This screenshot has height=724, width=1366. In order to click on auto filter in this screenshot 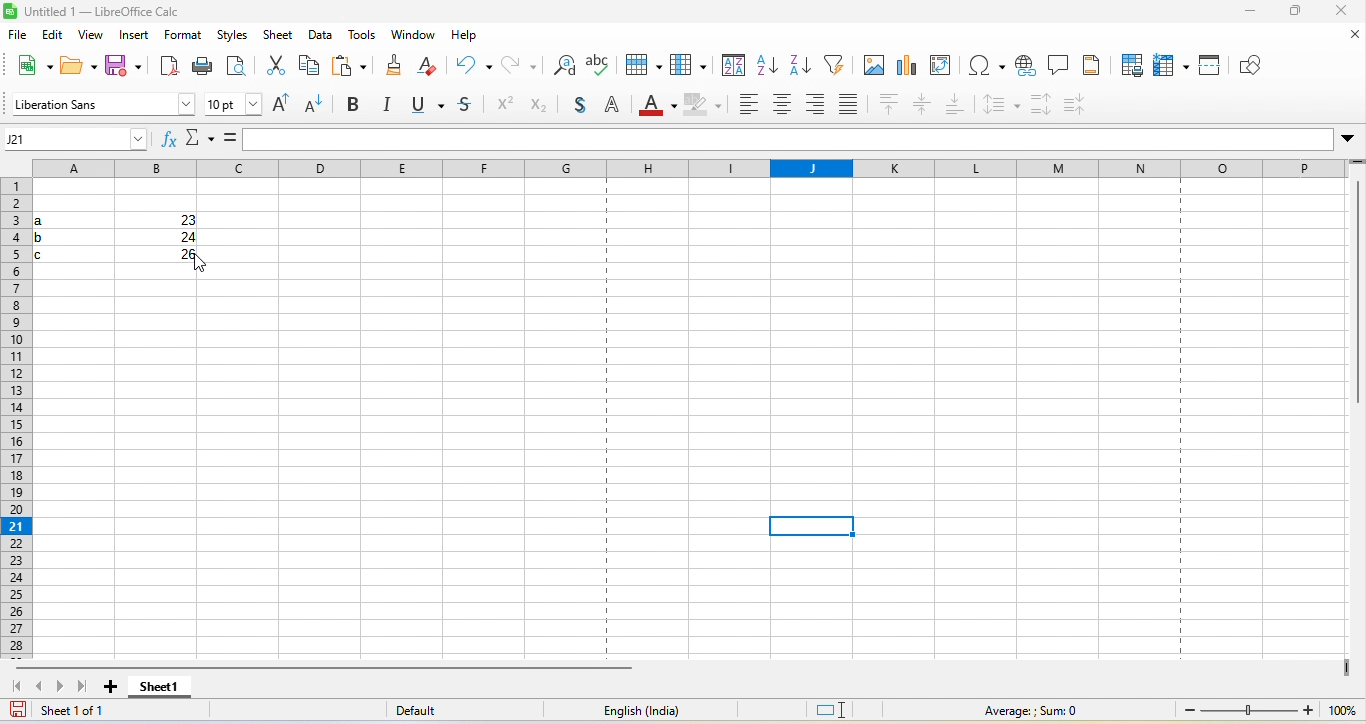, I will do `click(833, 66)`.